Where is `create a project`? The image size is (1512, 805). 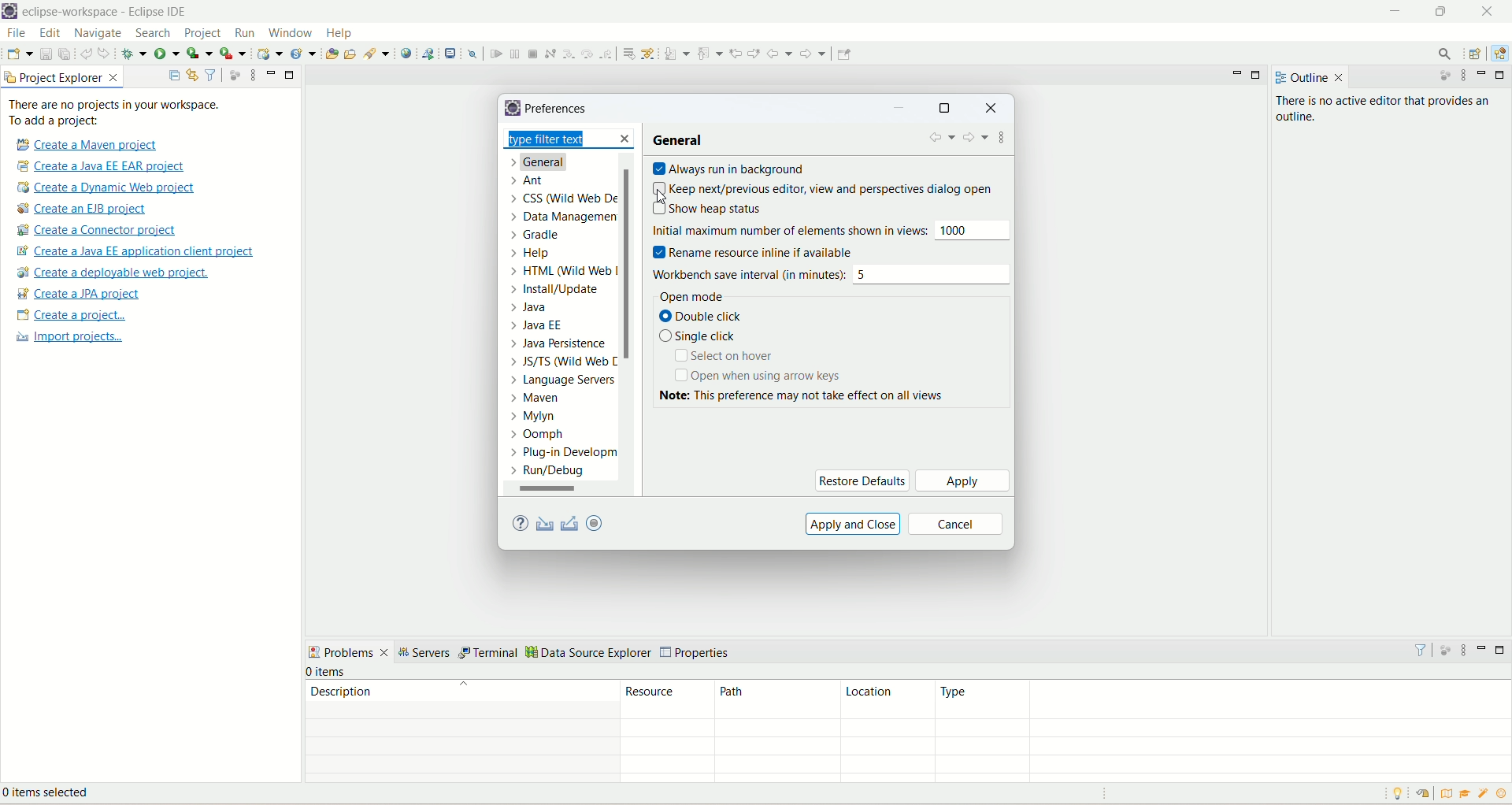
create a project is located at coordinates (69, 316).